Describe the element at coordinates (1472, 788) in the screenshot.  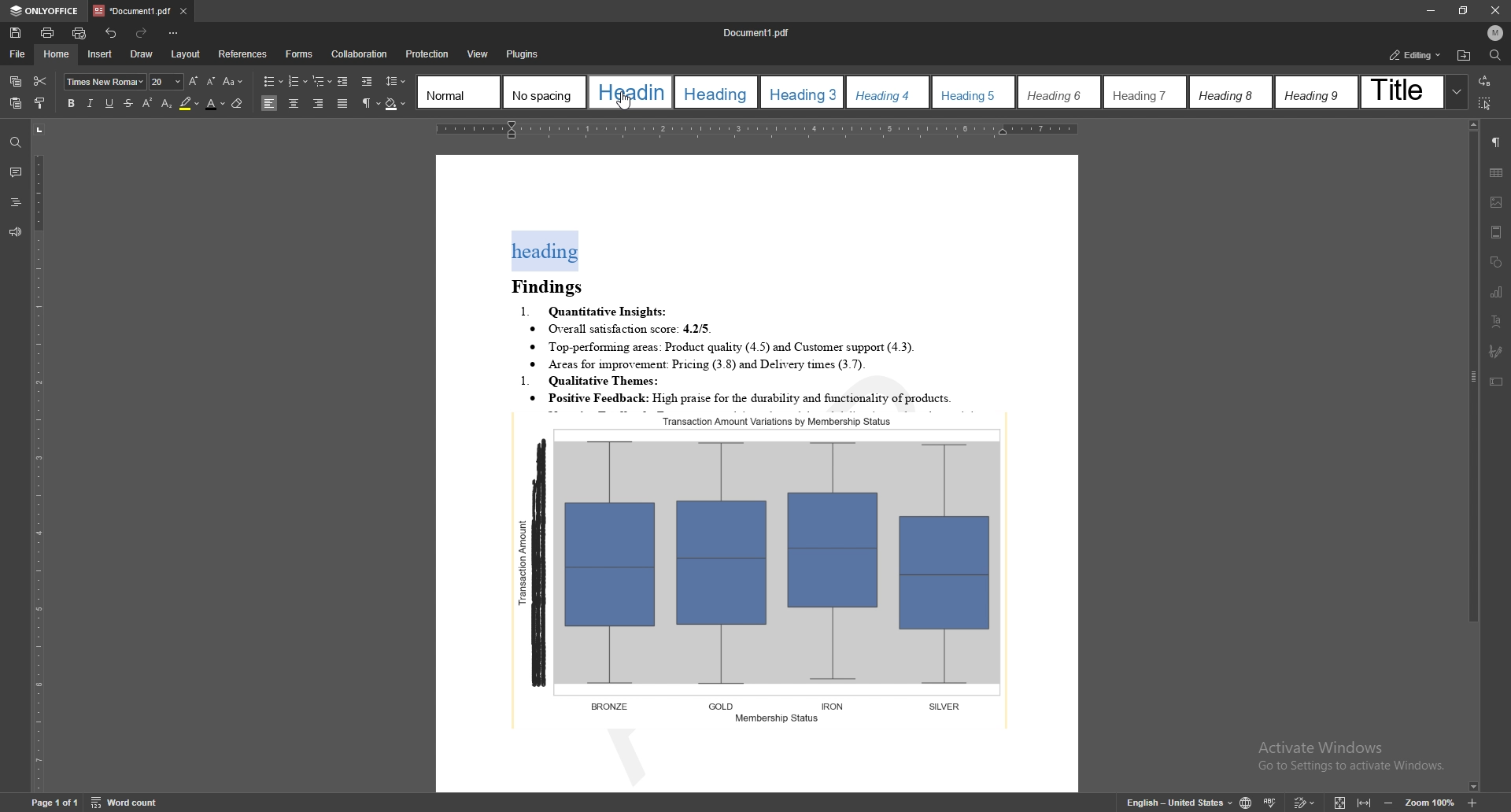
I see `scroll down` at that location.